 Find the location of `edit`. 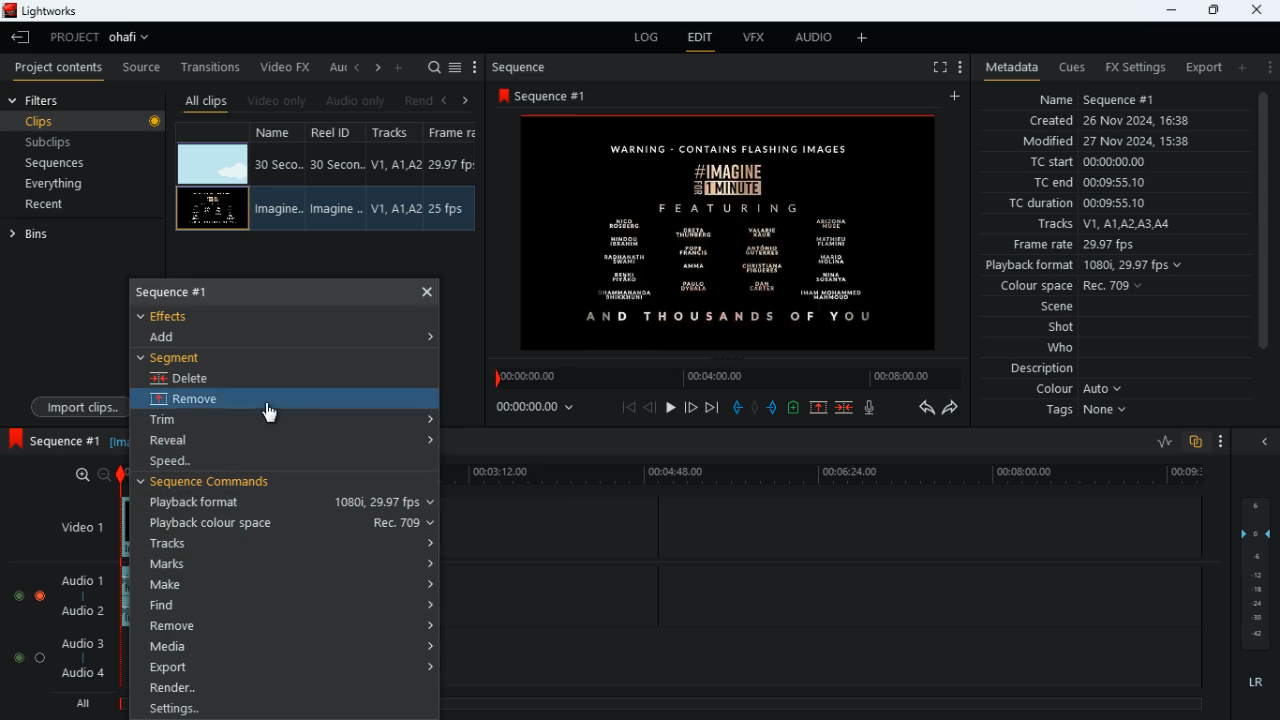

edit is located at coordinates (700, 37).